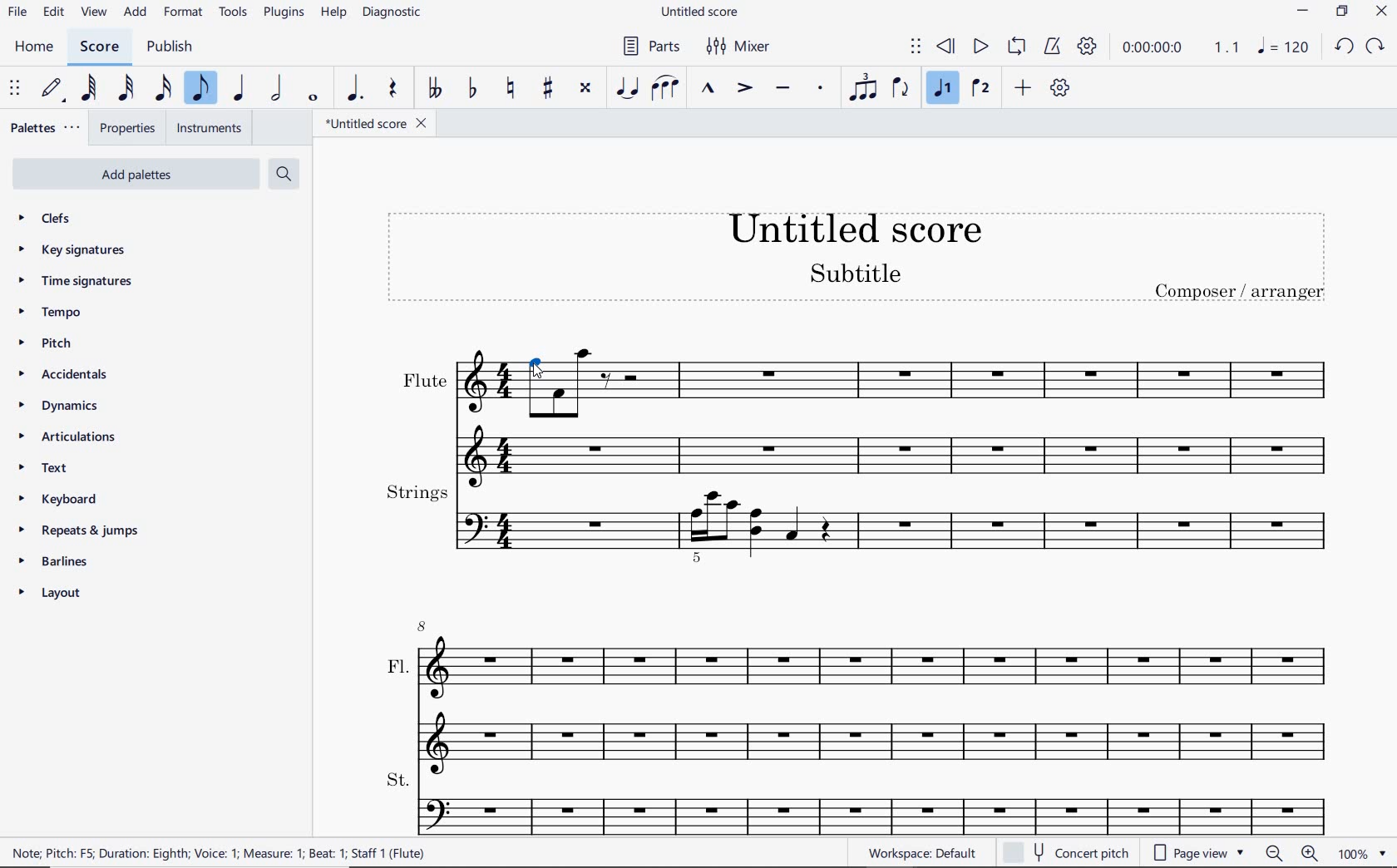 Image resolution: width=1397 pixels, height=868 pixels. I want to click on NOTE: PITCH: F5; DURATION, so click(219, 854).